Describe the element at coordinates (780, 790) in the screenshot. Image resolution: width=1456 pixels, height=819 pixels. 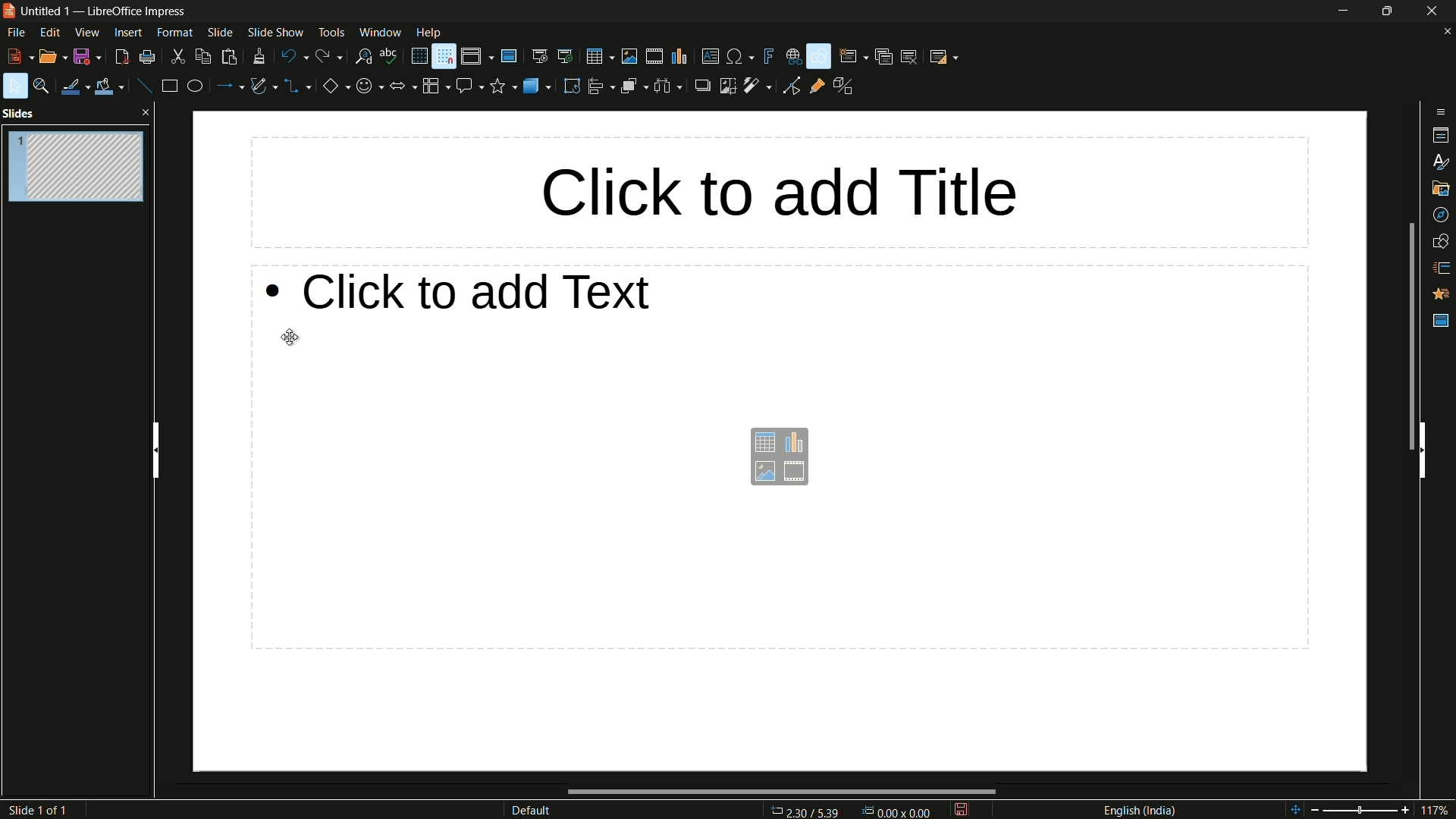
I see `scroll bar` at that location.